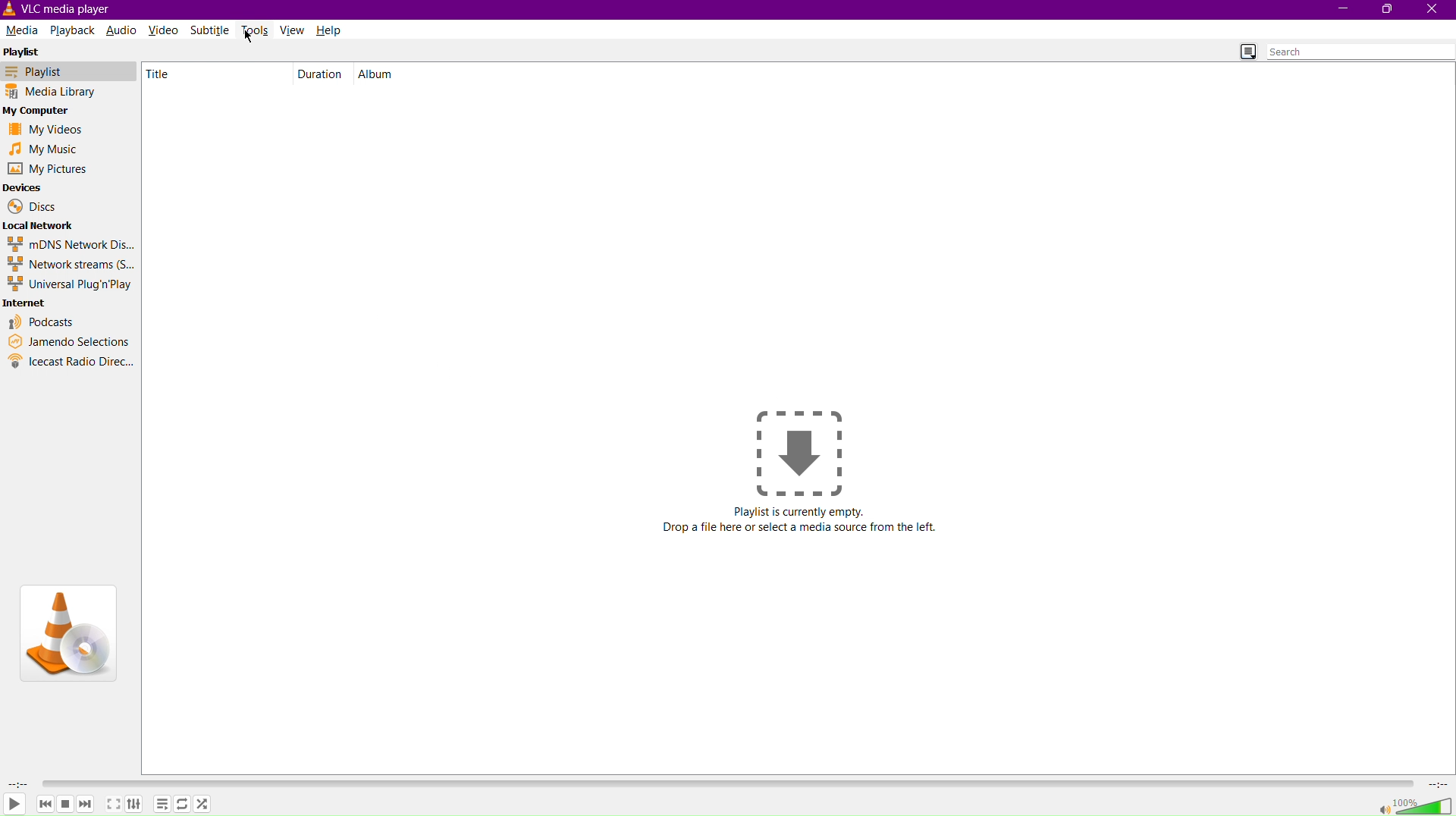 Image resolution: width=1456 pixels, height=816 pixels. What do you see at coordinates (87, 803) in the screenshot?
I see `Forward` at bounding box center [87, 803].